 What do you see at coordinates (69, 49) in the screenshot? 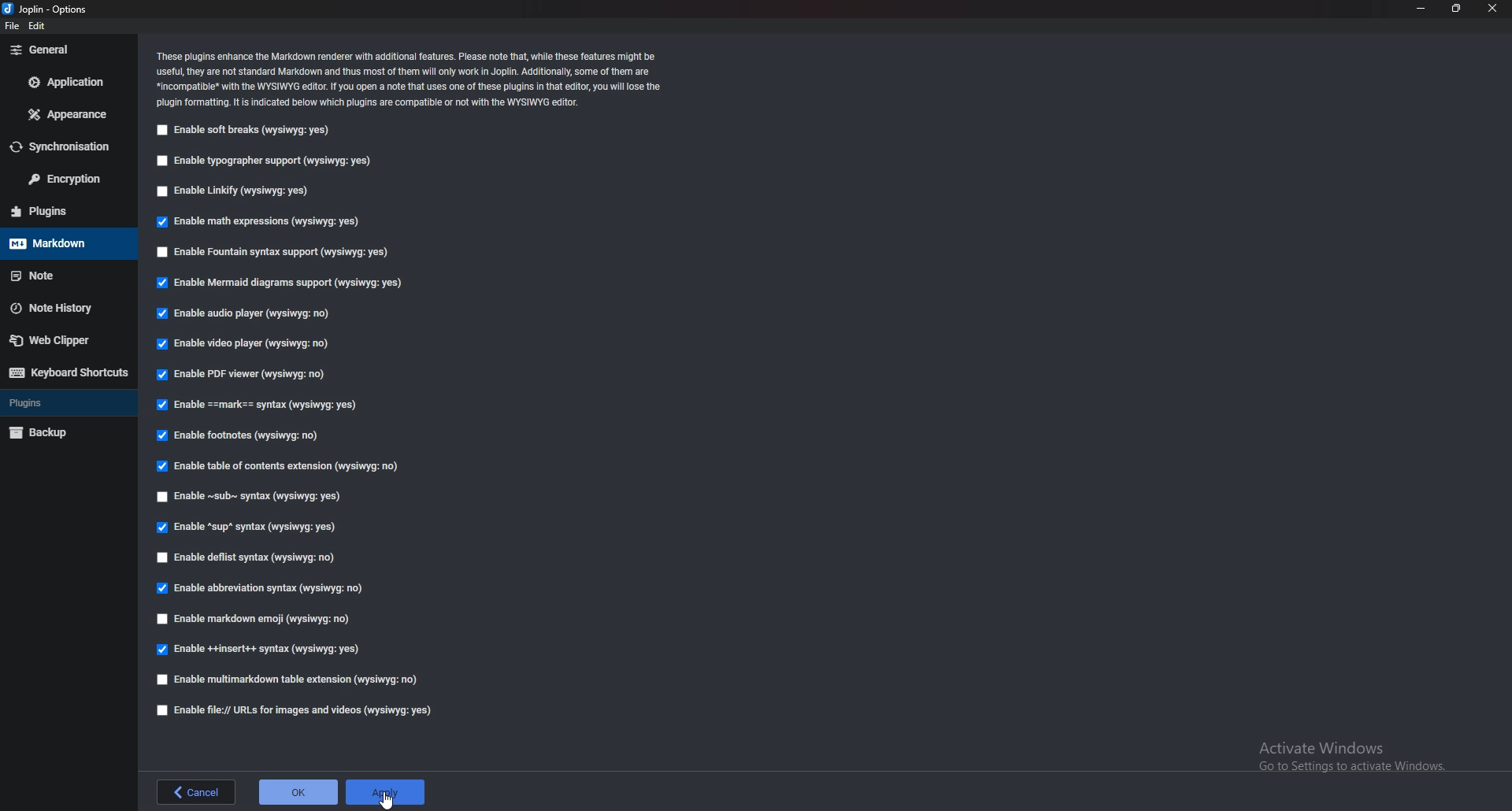
I see `general` at bounding box center [69, 49].